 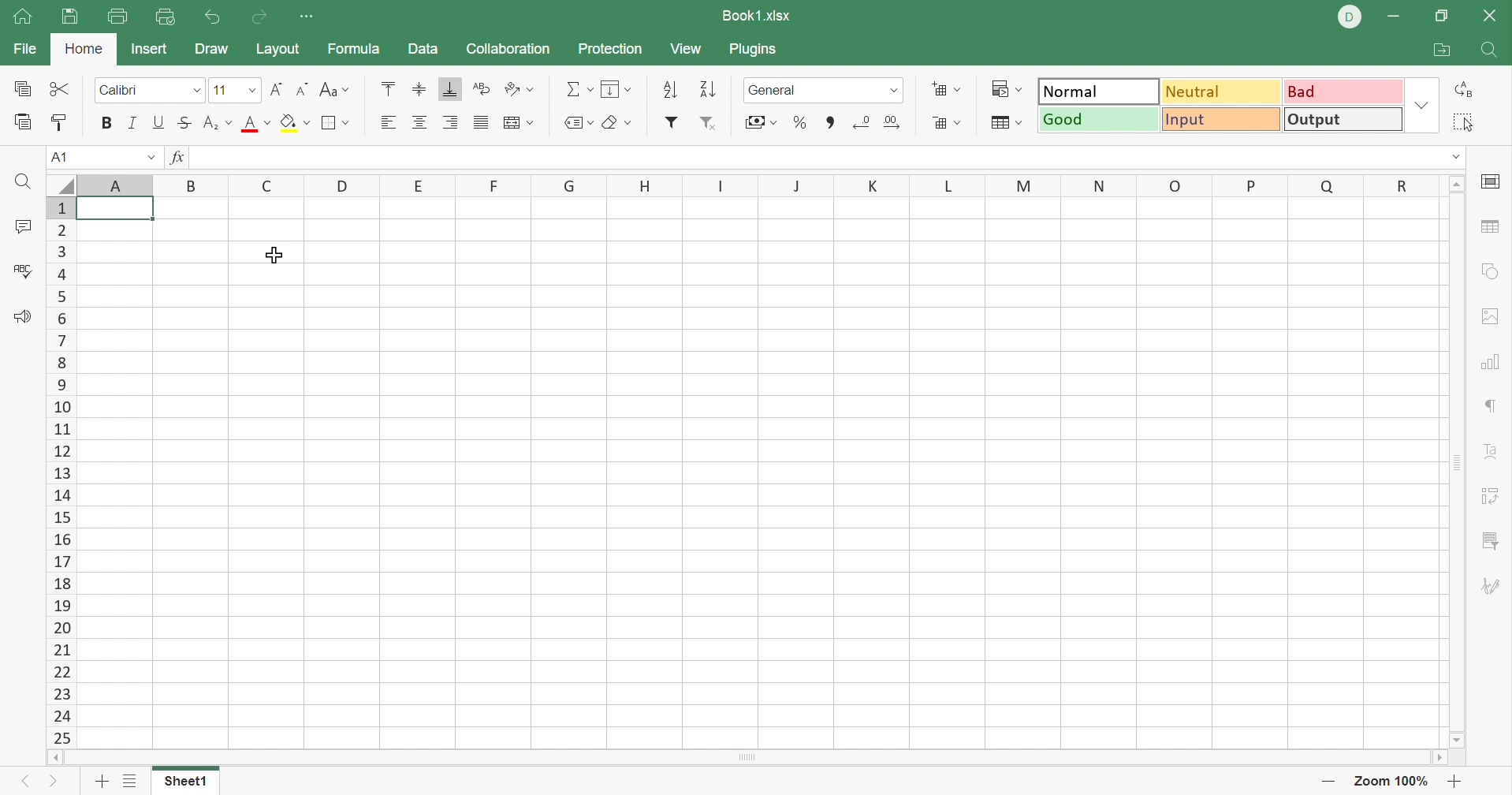 What do you see at coordinates (420, 124) in the screenshot?
I see `Align Center` at bounding box center [420, 124].